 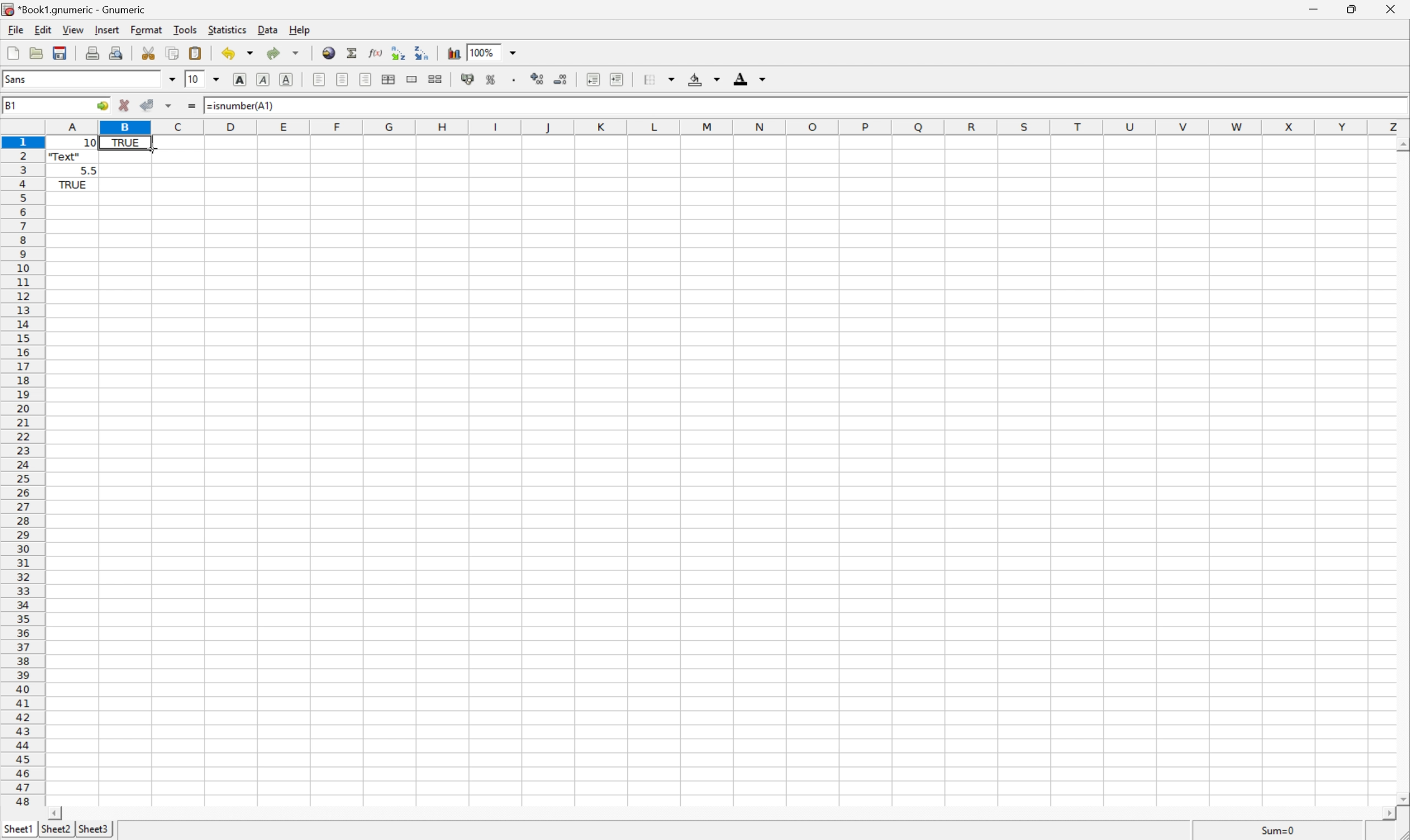 I want to click on Format, so click(x=147, y=29).